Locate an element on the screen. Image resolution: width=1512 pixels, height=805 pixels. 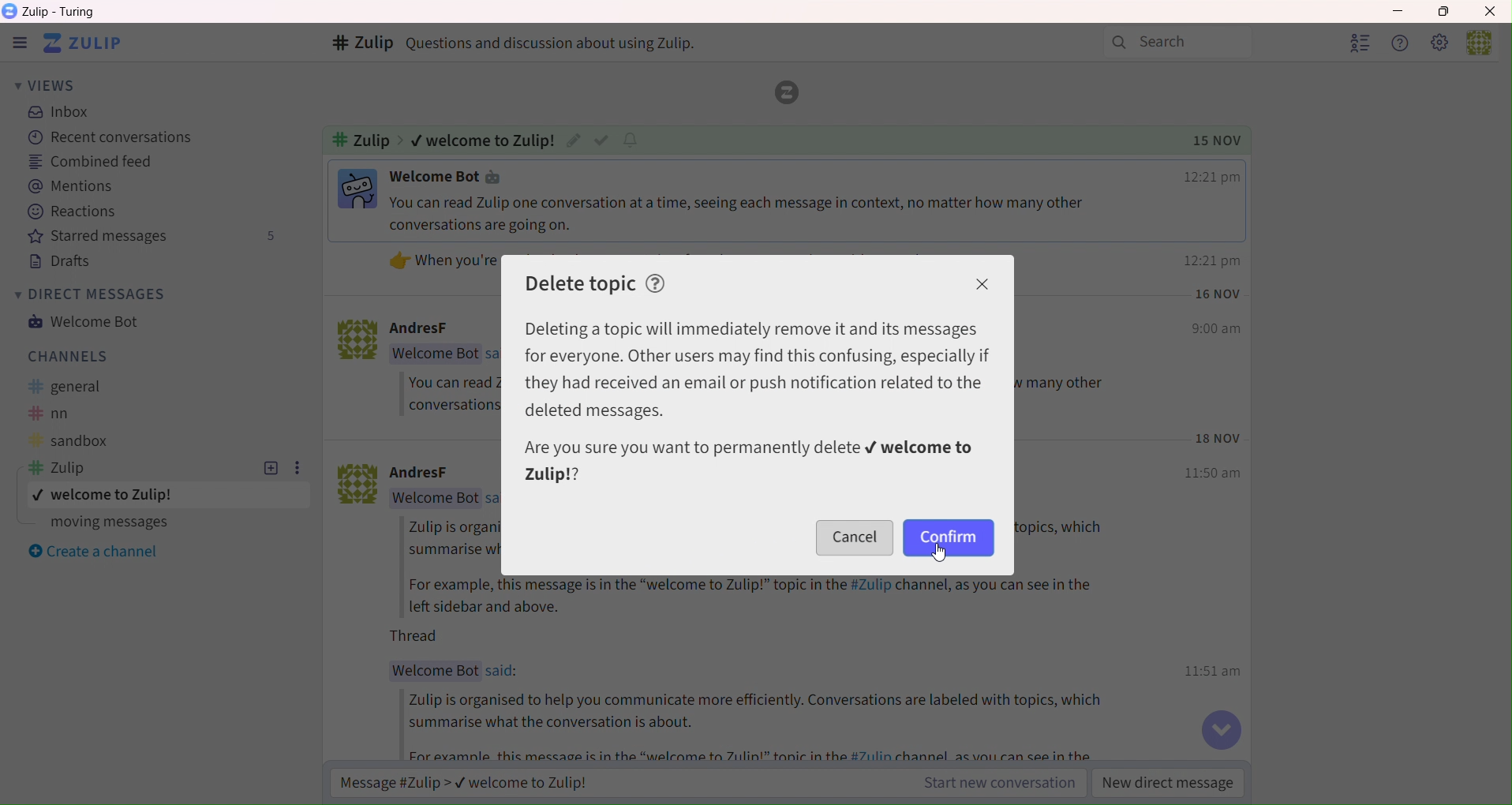
Minimize is located at coordinates (1397, 13).